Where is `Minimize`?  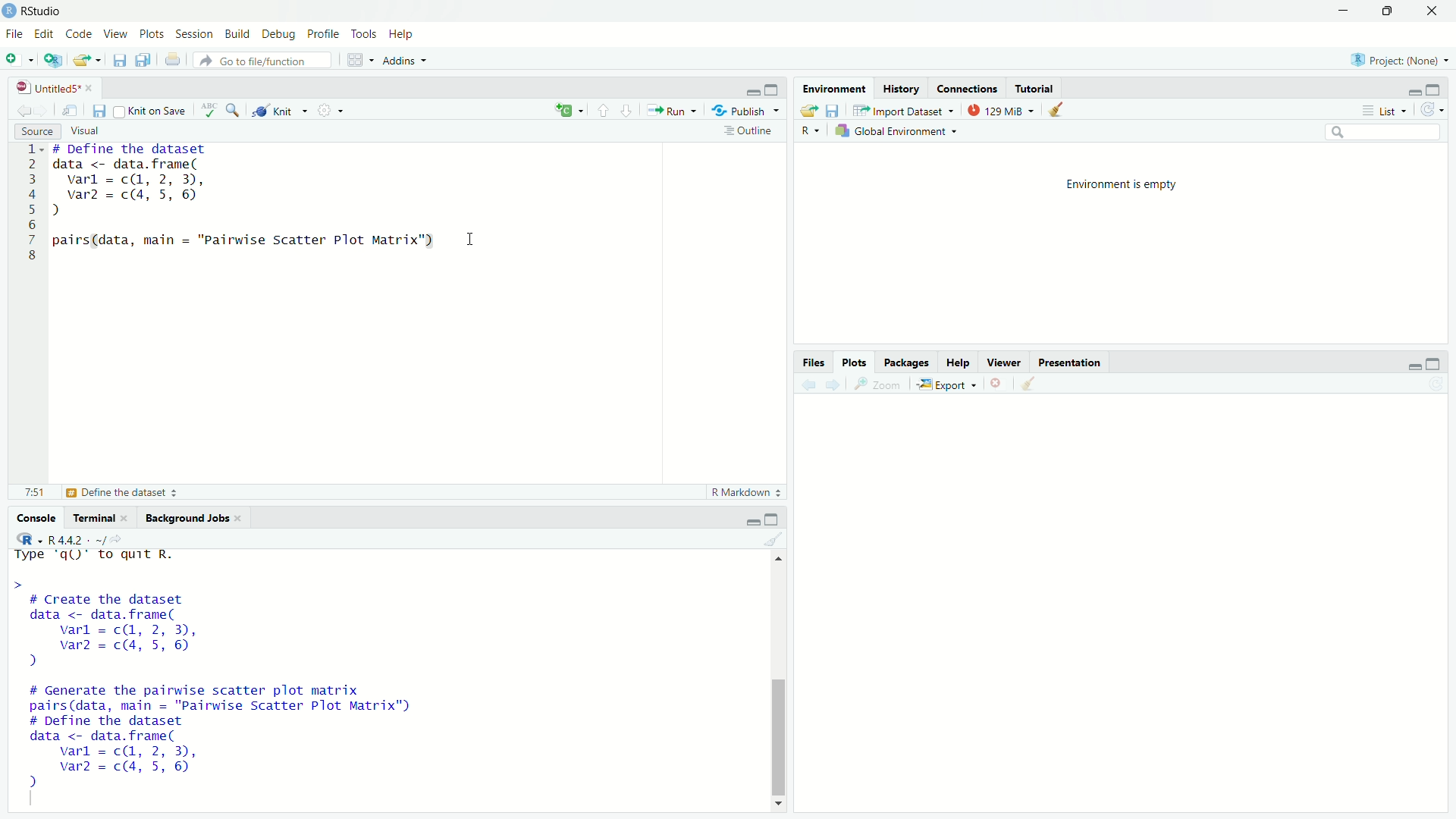 Minimize is located at coordinates (752, 91).